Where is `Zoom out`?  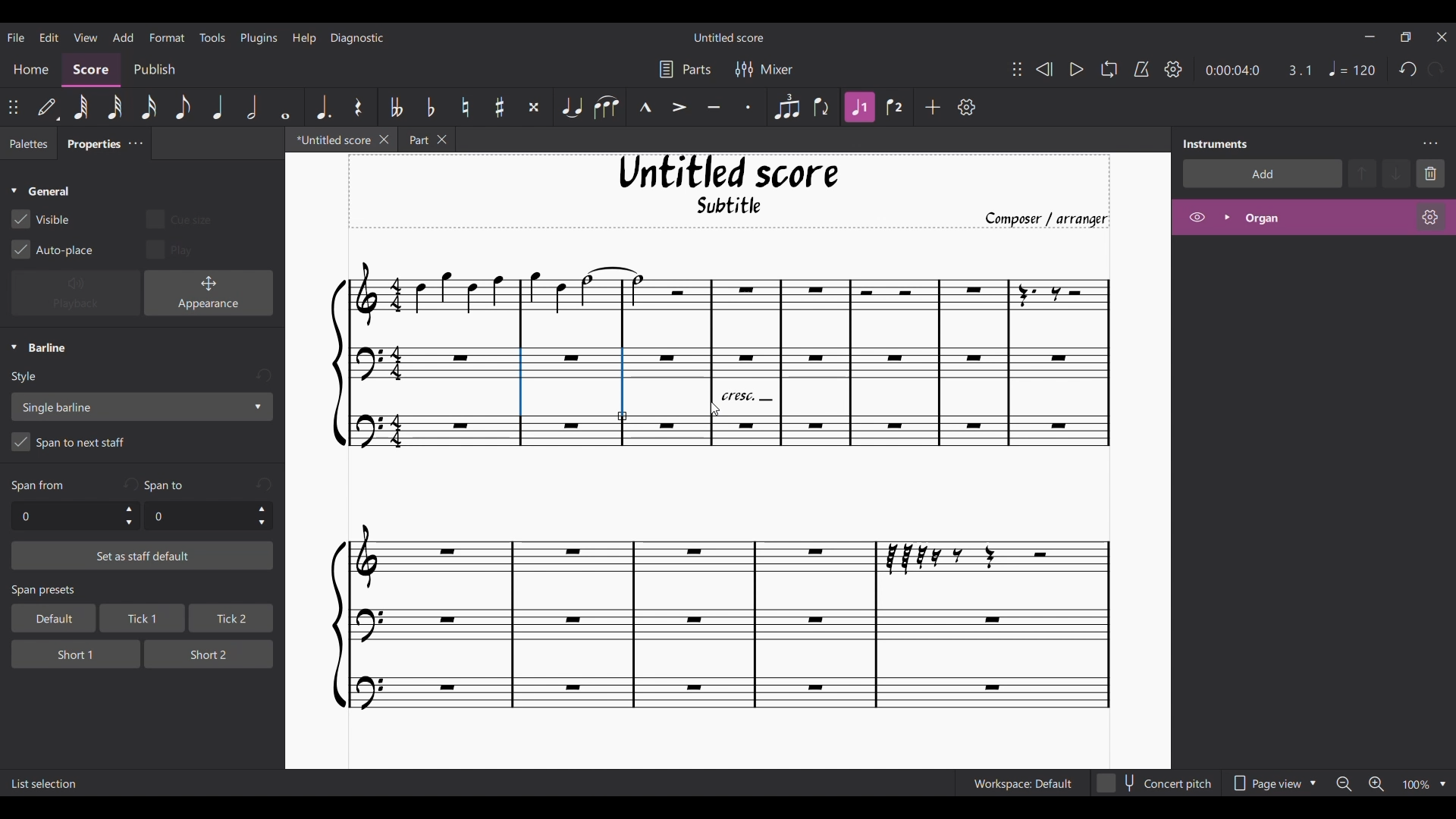 Zoom out is located at coordinates (1344, 784).